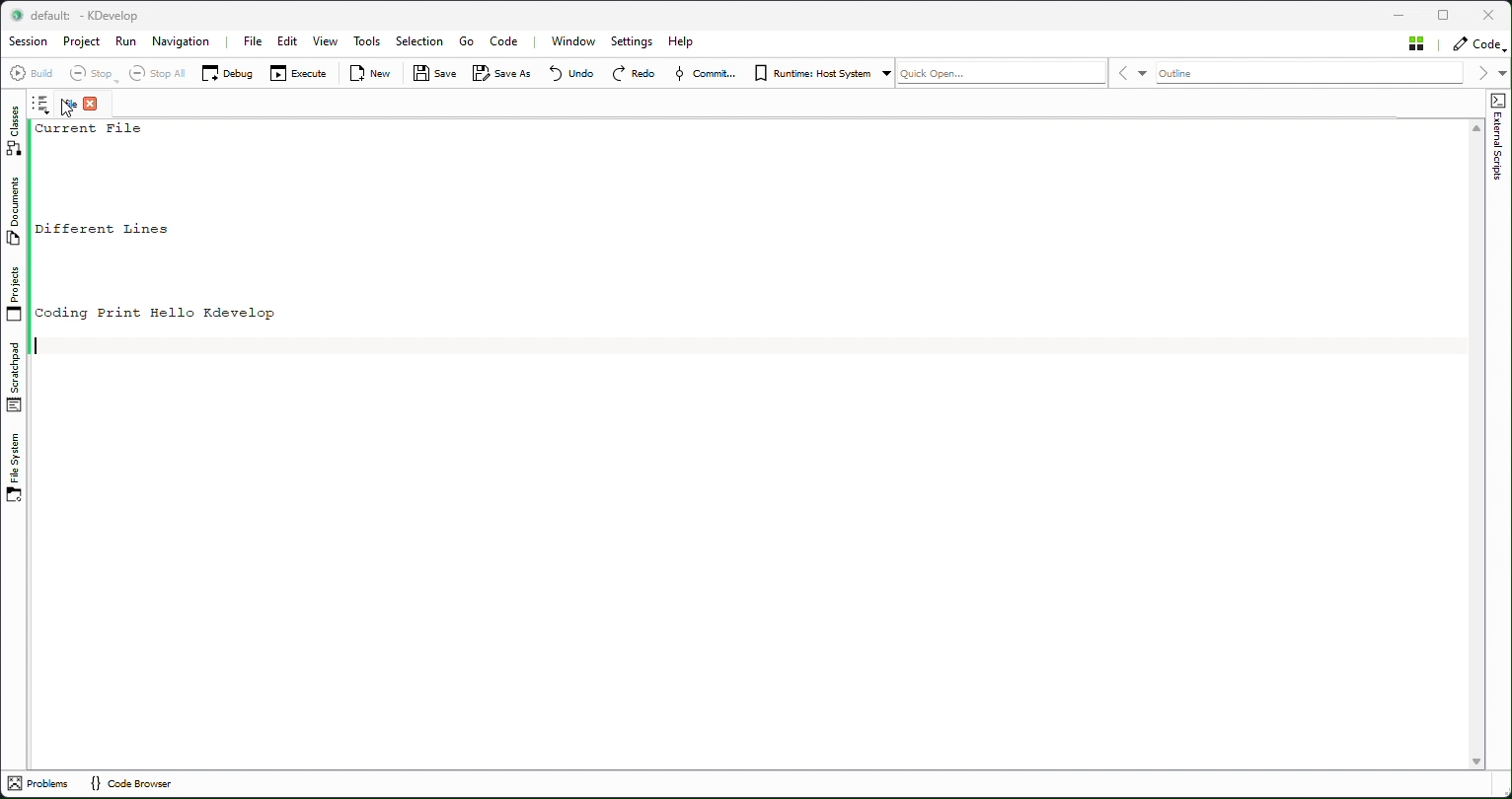  Describe the element at coordinates (32, 42) in the screenshot. I see `Session` at that location.